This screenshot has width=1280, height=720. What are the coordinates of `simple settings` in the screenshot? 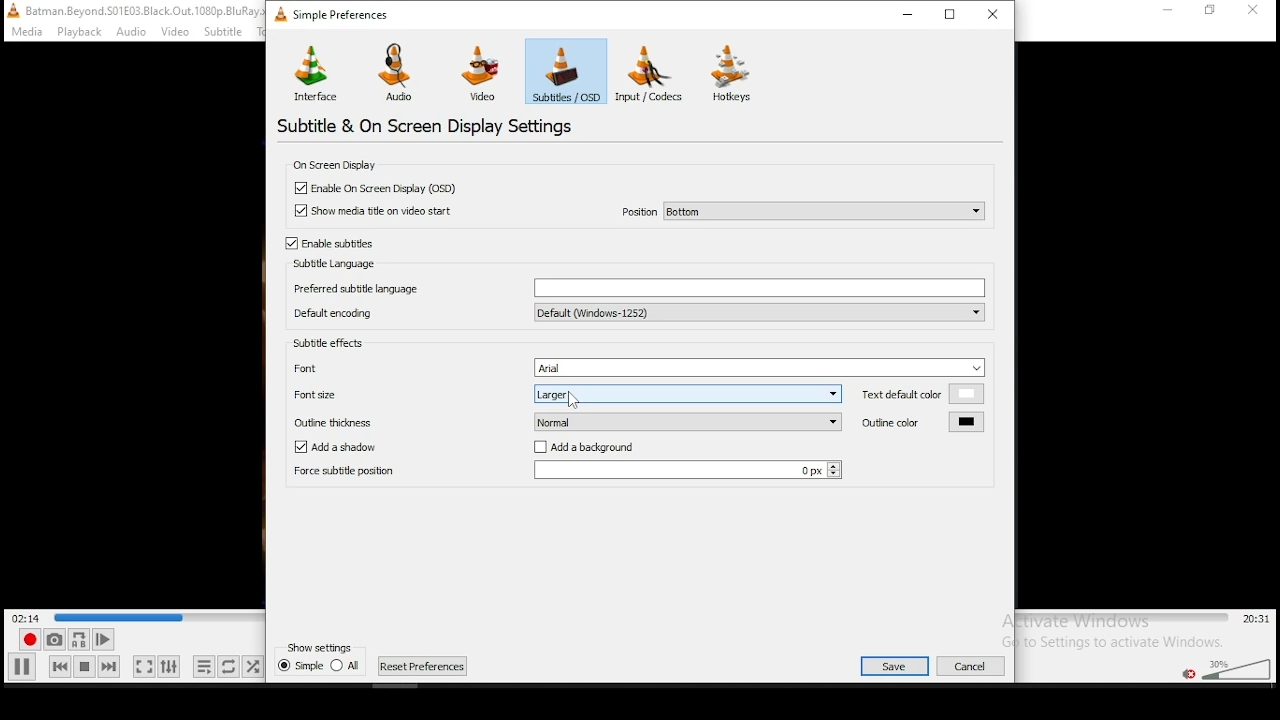 It's located at (335, 13).